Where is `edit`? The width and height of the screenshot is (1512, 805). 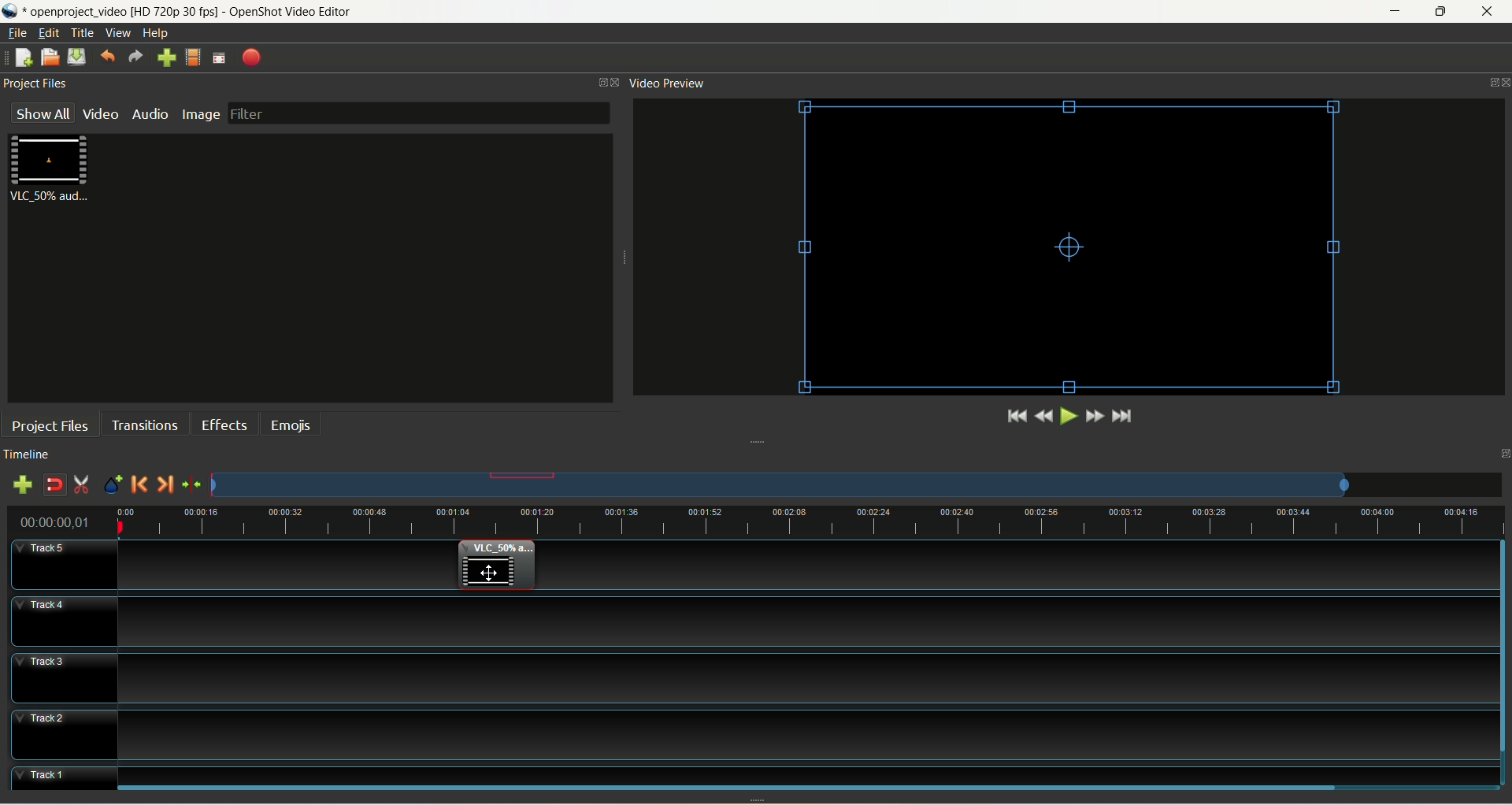
edit is located at coordinates (50, 32).